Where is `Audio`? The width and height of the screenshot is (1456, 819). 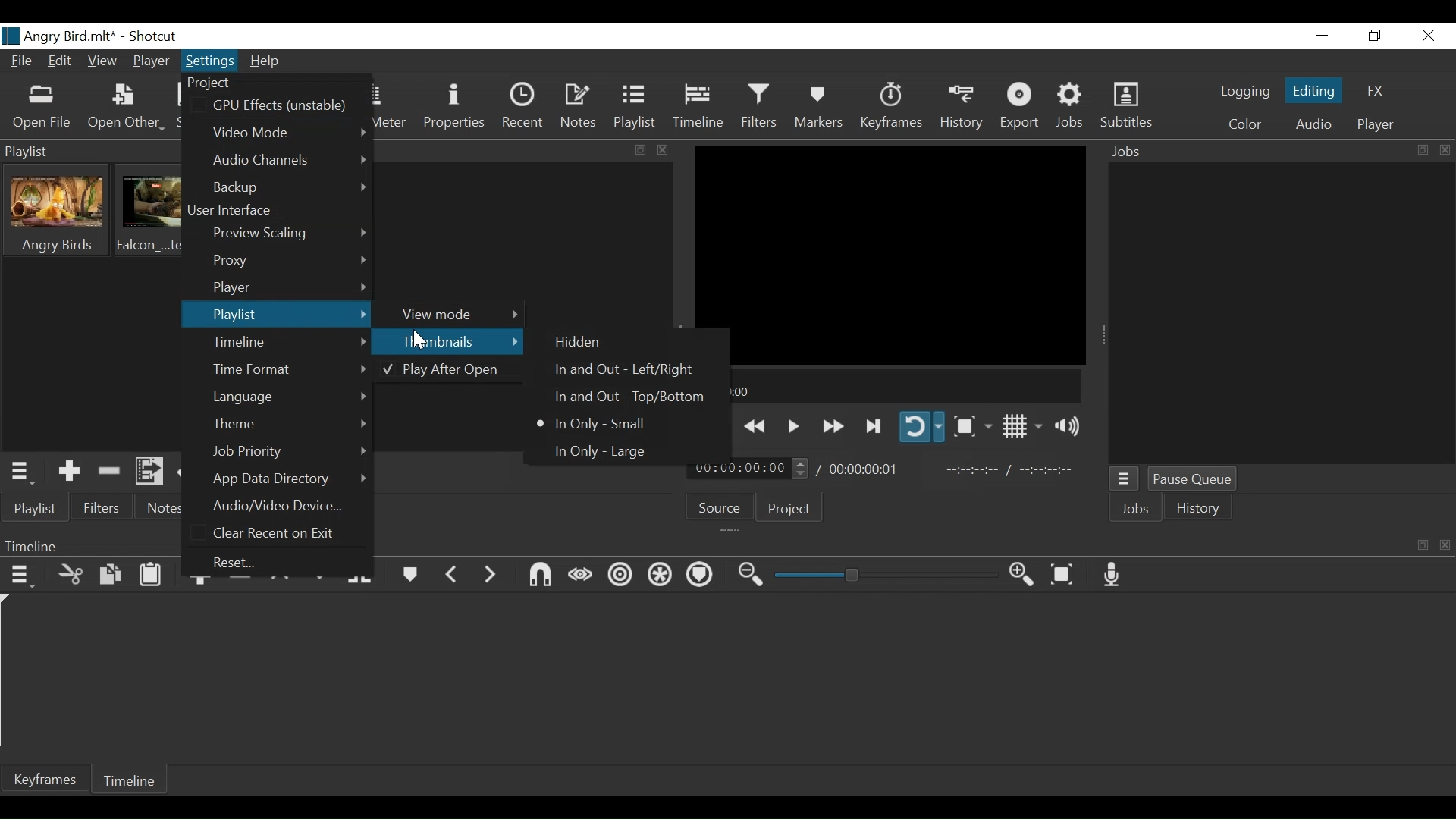
Audio is located at coordinates (1313, 127).